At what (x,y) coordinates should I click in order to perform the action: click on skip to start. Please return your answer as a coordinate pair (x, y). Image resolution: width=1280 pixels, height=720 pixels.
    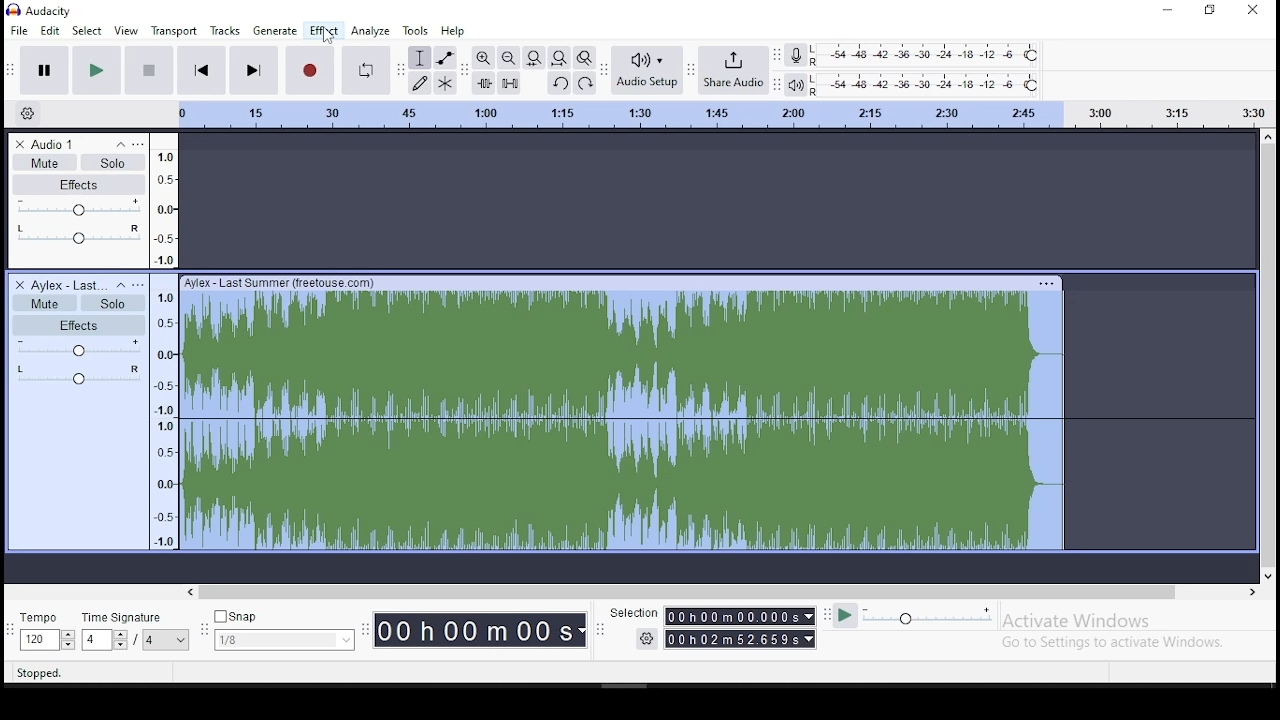
    Looking at the image, I should click on (203, 70).